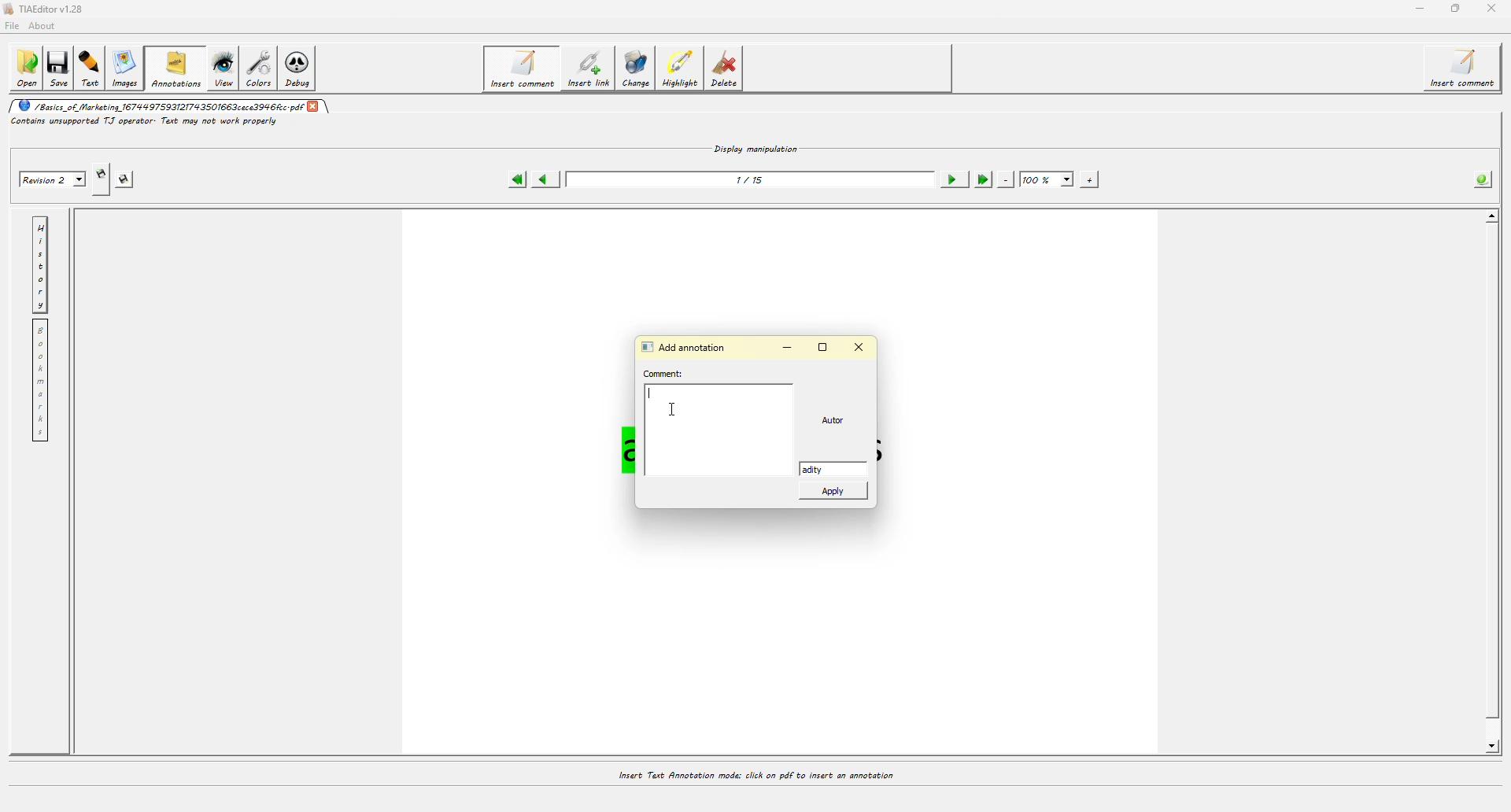 Image resolution: width=1511 pixels, height=812 pixels. Describe the element at coordinates (825, 347) in the screenshot. I see `maximize` at that location.